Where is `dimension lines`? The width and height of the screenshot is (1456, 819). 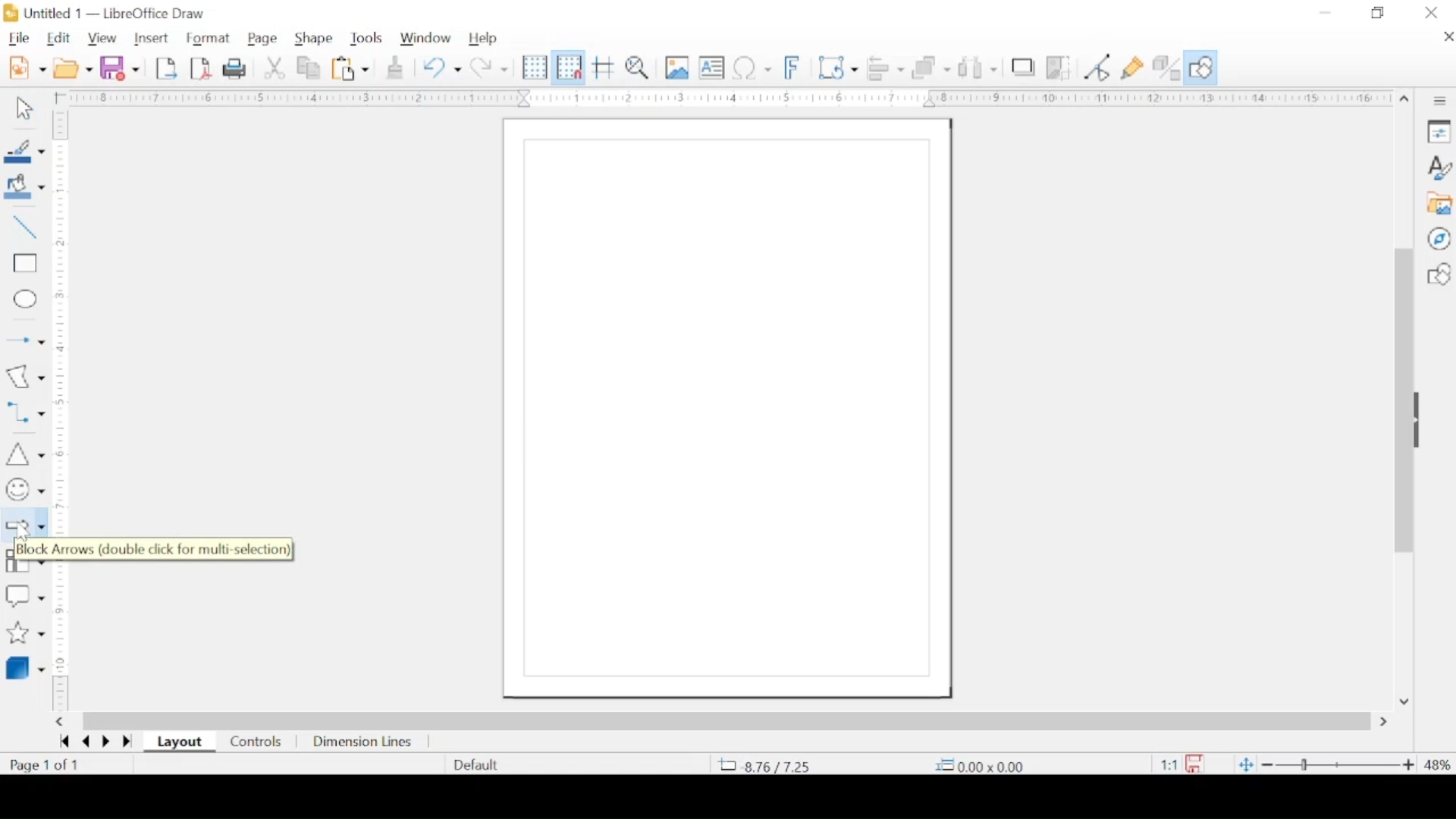
dimension lines is located at coordinates (363, 742).